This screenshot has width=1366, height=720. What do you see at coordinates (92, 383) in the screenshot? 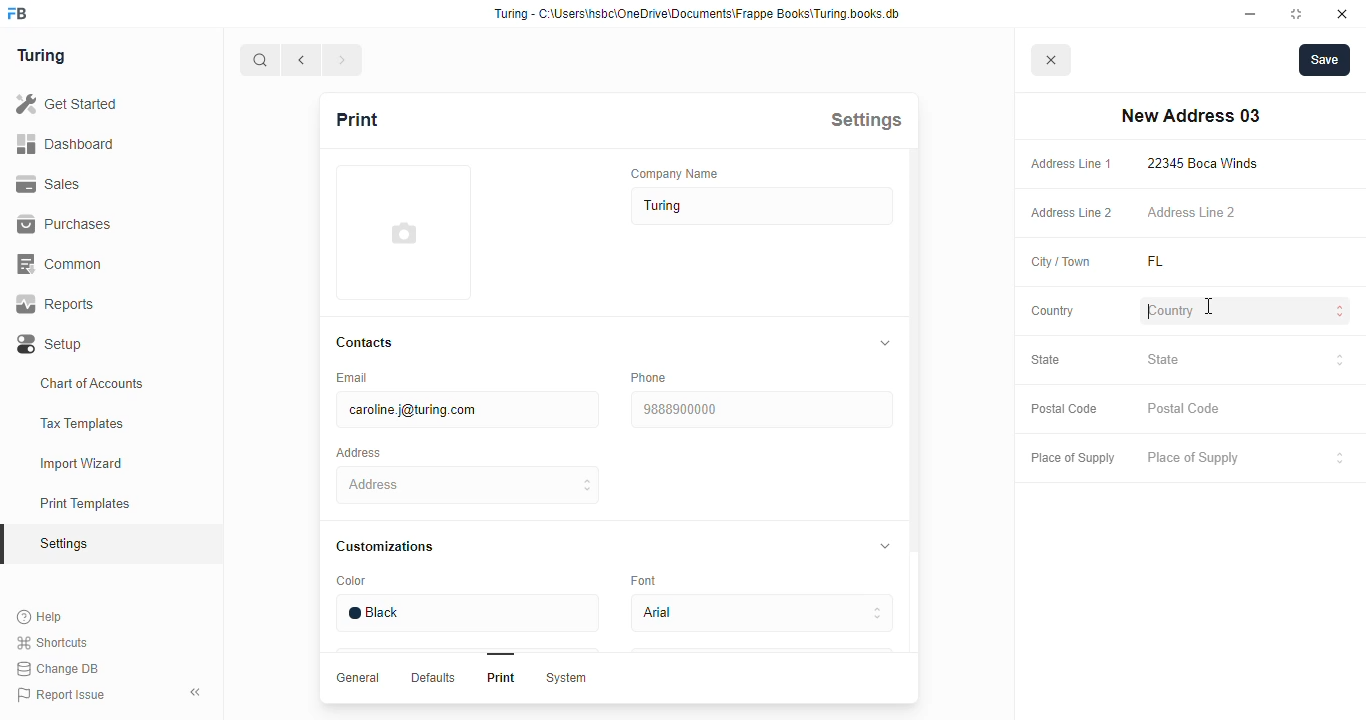
I see `chart of accounts` at bounding box center [92, 383].